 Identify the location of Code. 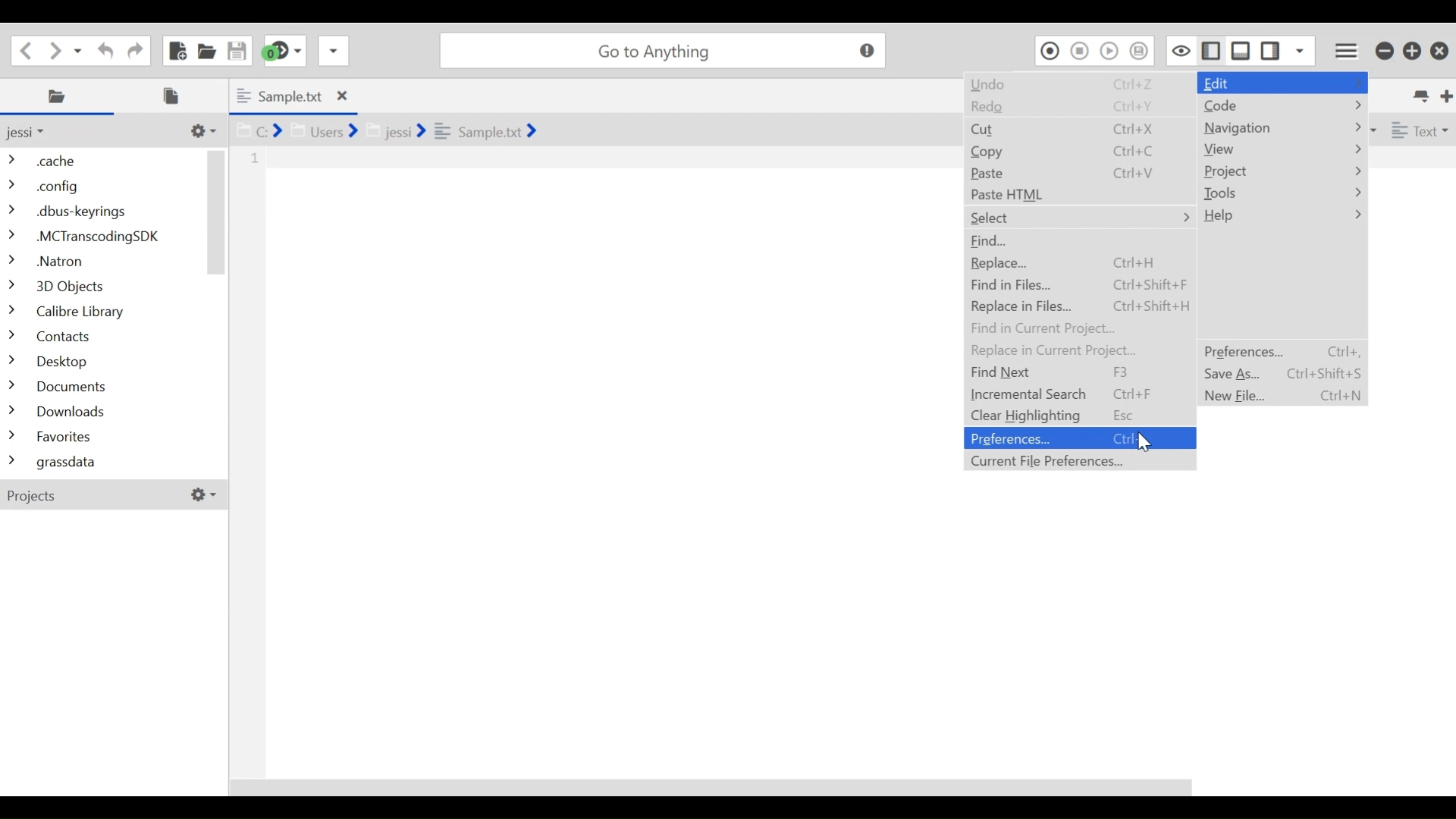
(1282, 106).